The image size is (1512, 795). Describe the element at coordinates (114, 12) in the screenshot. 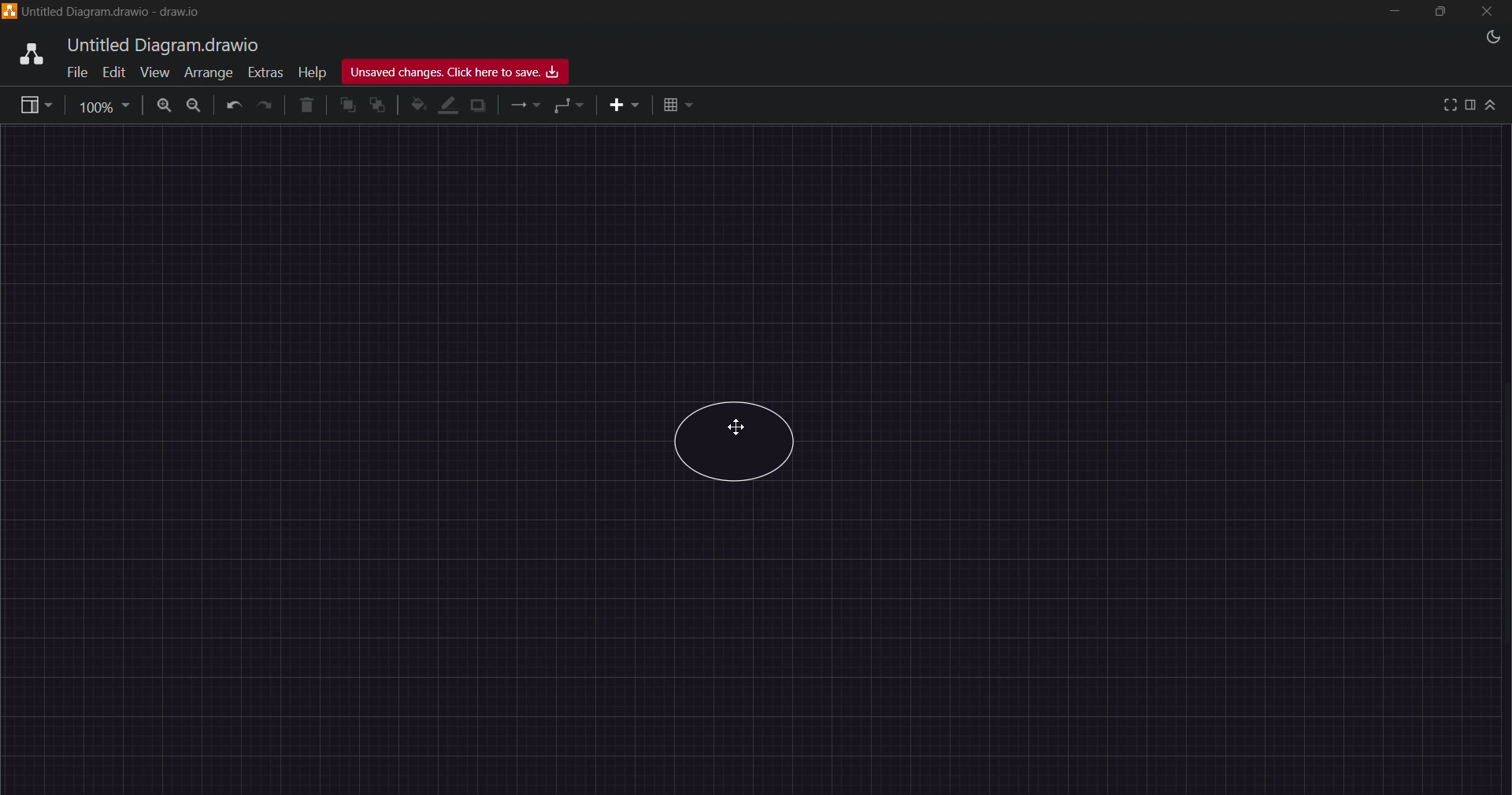

I see `Untitled Diagram.drawio - draw.io` at that location.